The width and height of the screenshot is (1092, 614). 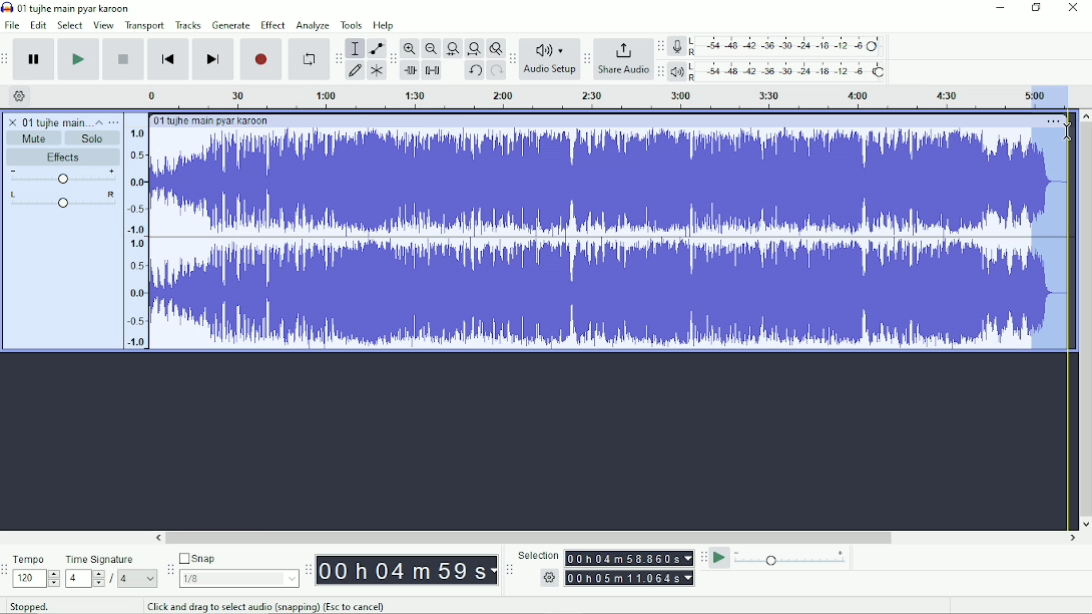 What do you see at coordinates (630, 559) in the screenshot?
I see `00h00m00.000s` at bounding box center [630, 559].